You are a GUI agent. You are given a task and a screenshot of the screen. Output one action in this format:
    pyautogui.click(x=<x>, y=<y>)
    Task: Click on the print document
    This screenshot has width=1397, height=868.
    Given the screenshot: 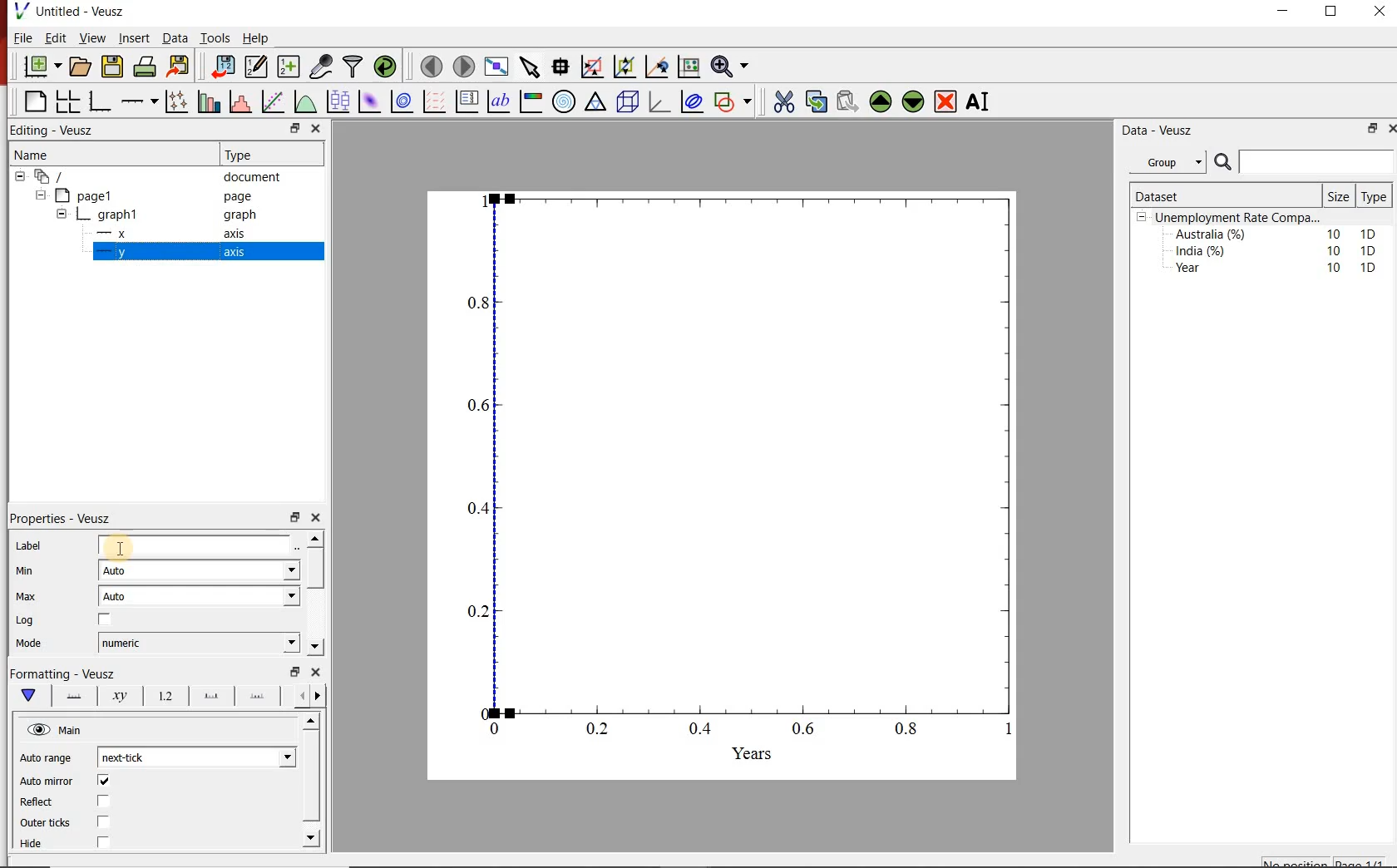 What is the action you would take?
    pyautogui.click(x=145, y=65)
    